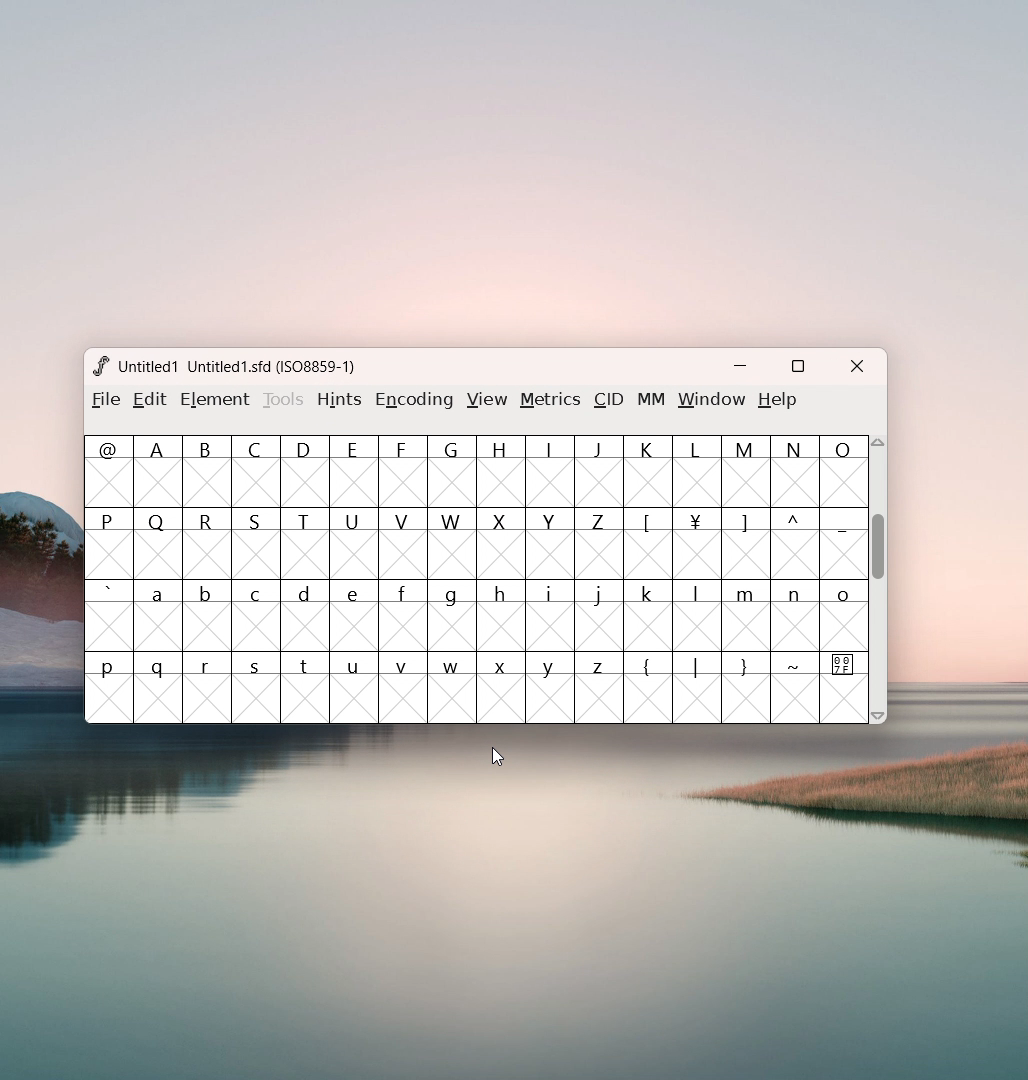  What do you see at coordinates (551, 544) in the screenshot?
I see `Y` at bounding box center [551, 544].